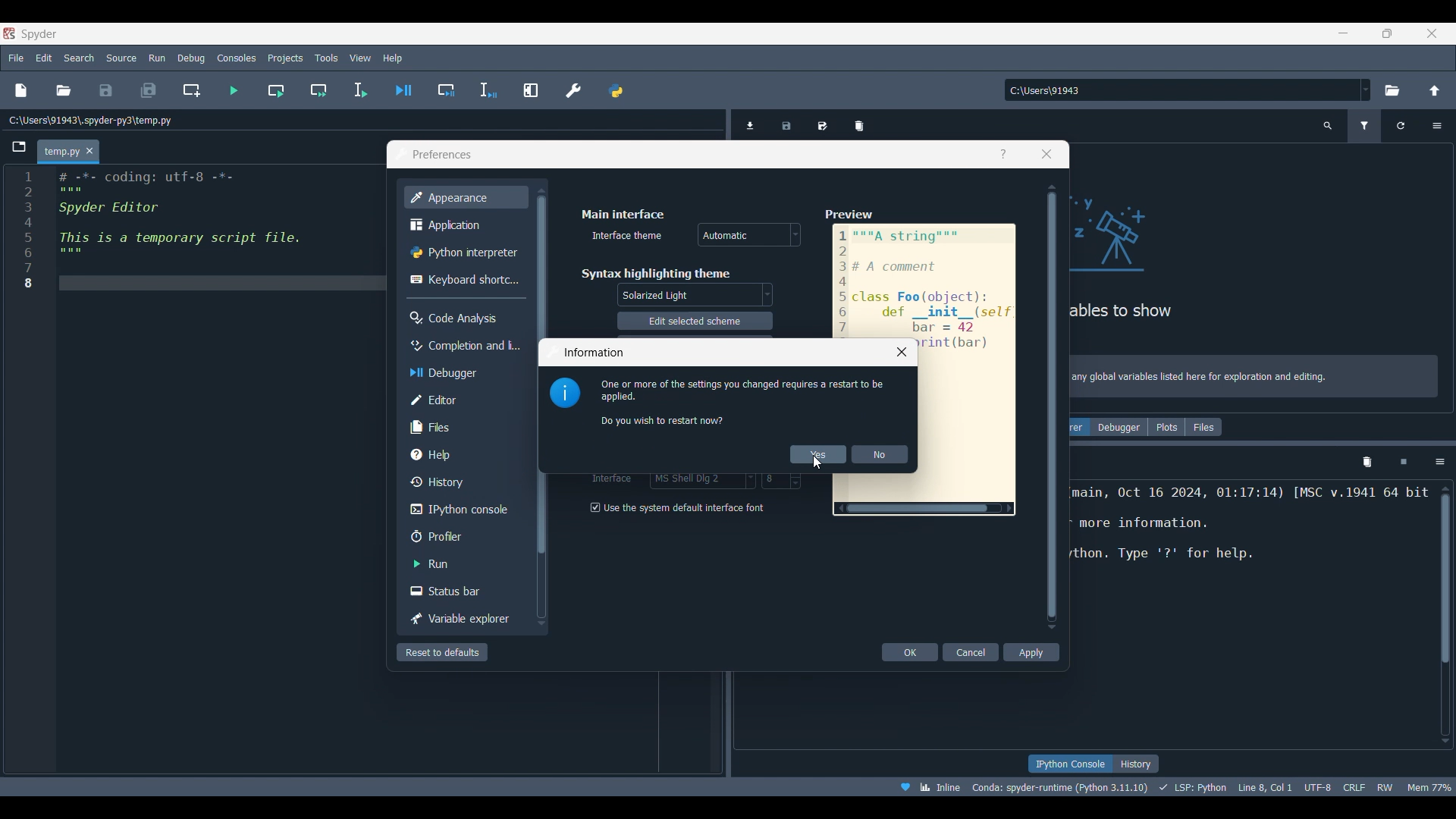  What do you see at coordinates (90, 151) in the screenshot?
I see `Close` at bounding box center [90, 151].